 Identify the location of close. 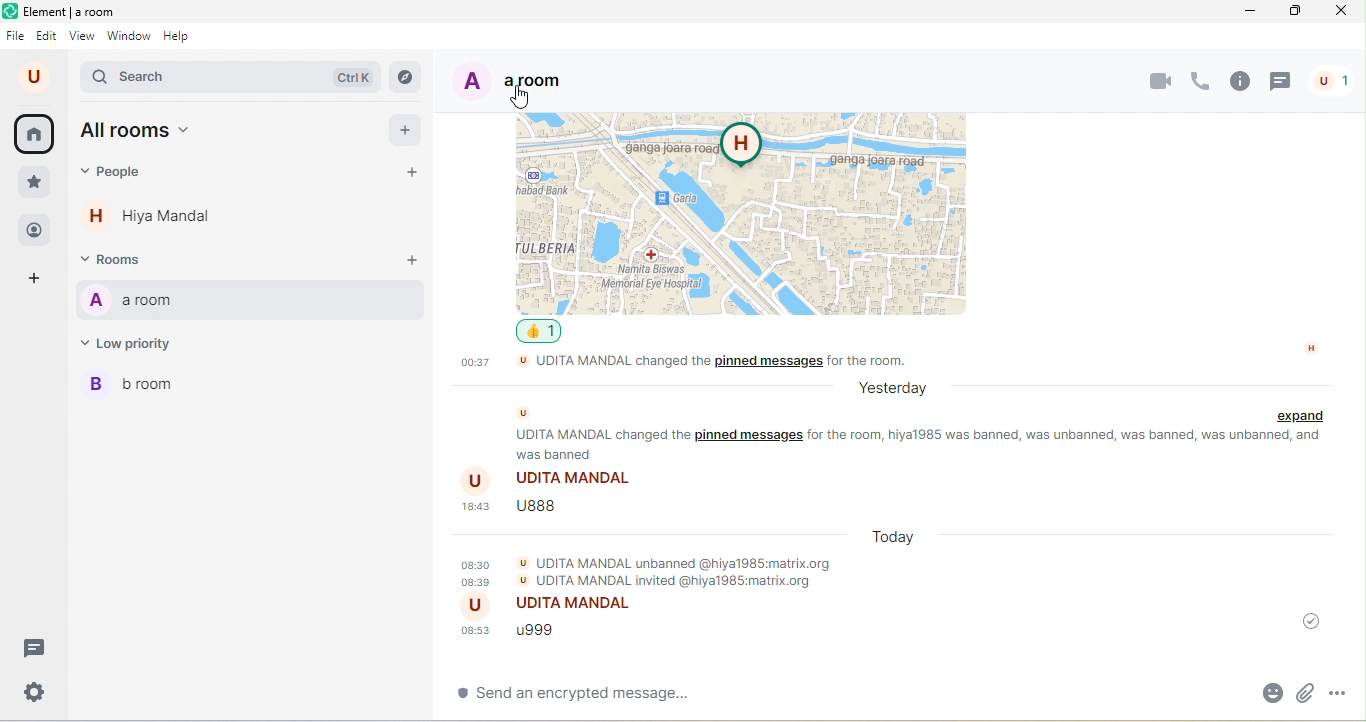
(1337, 15).